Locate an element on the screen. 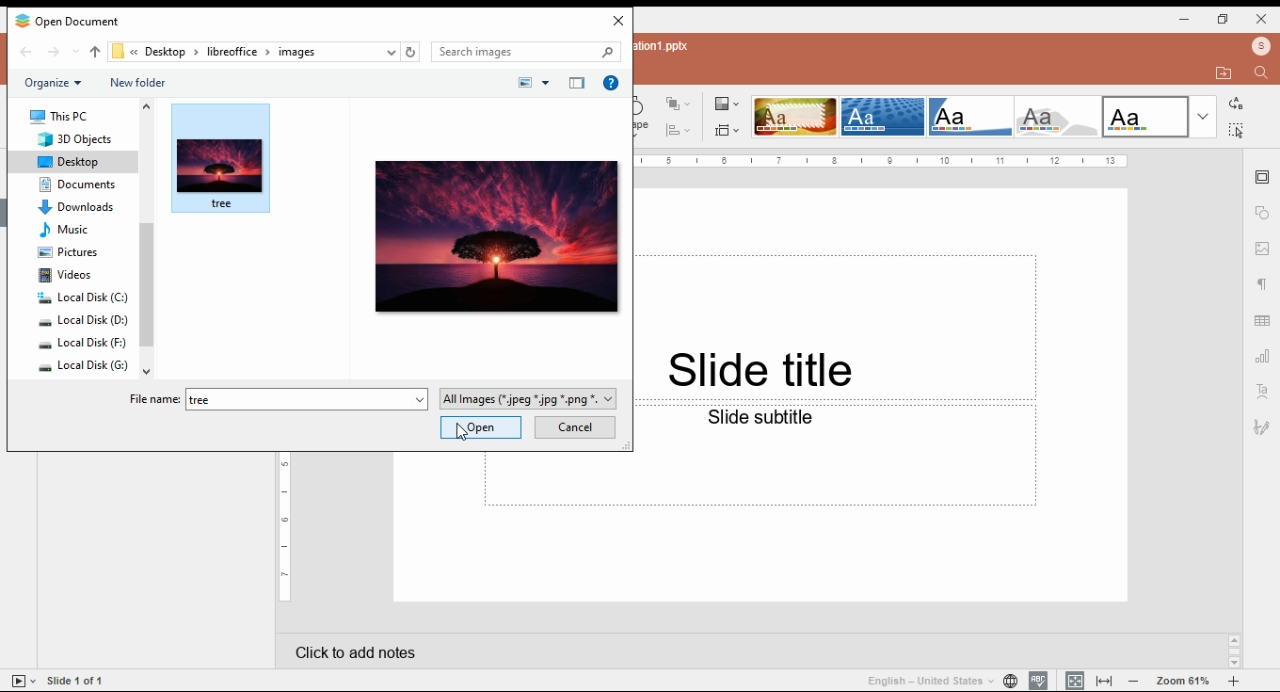 The height and width of the screenshot is (692, 1280). Side 1 of 1 is located at coordinates (82, 679).